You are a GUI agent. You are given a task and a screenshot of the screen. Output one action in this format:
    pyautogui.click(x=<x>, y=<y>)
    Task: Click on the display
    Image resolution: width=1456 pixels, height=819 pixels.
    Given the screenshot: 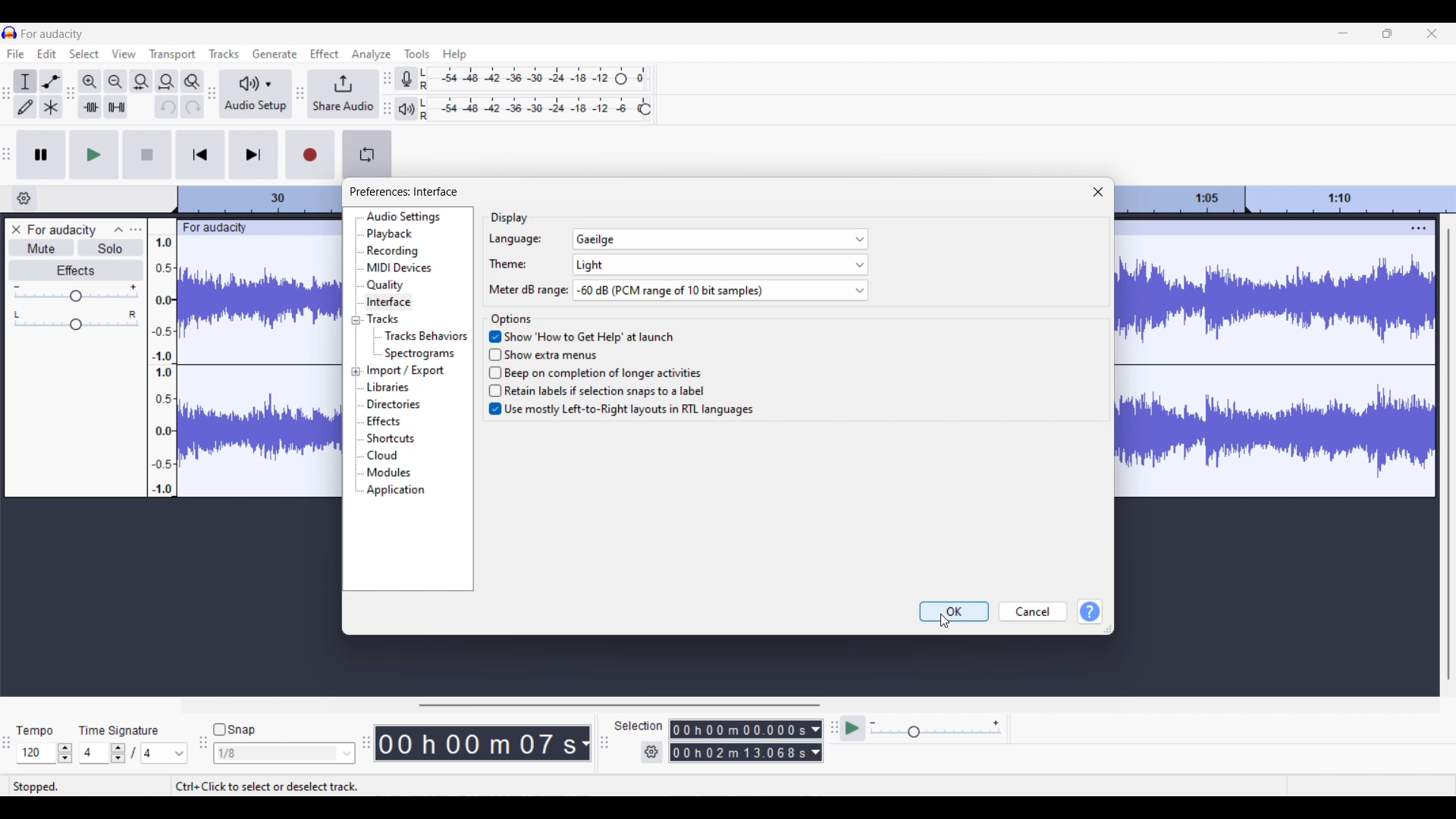 What is the action you would take?
    pyautogui.click(x=510, y=218)
    